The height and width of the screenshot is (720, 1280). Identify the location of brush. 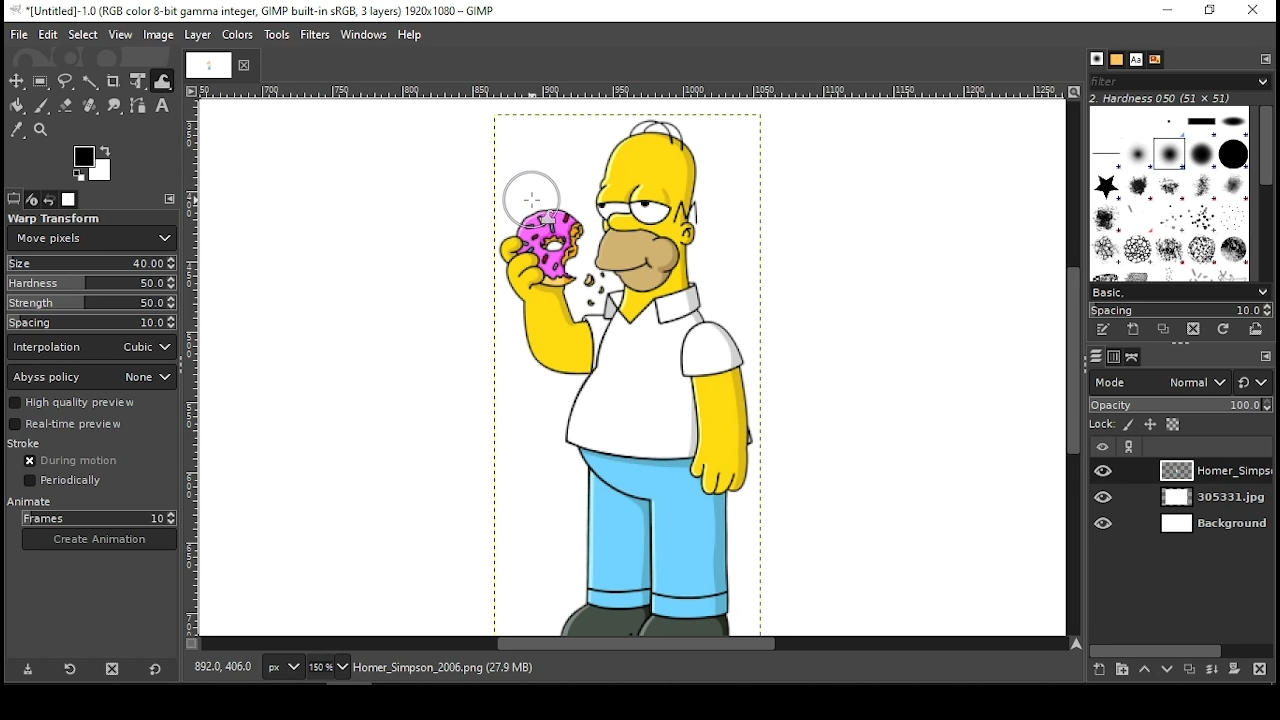
(1097, 58).